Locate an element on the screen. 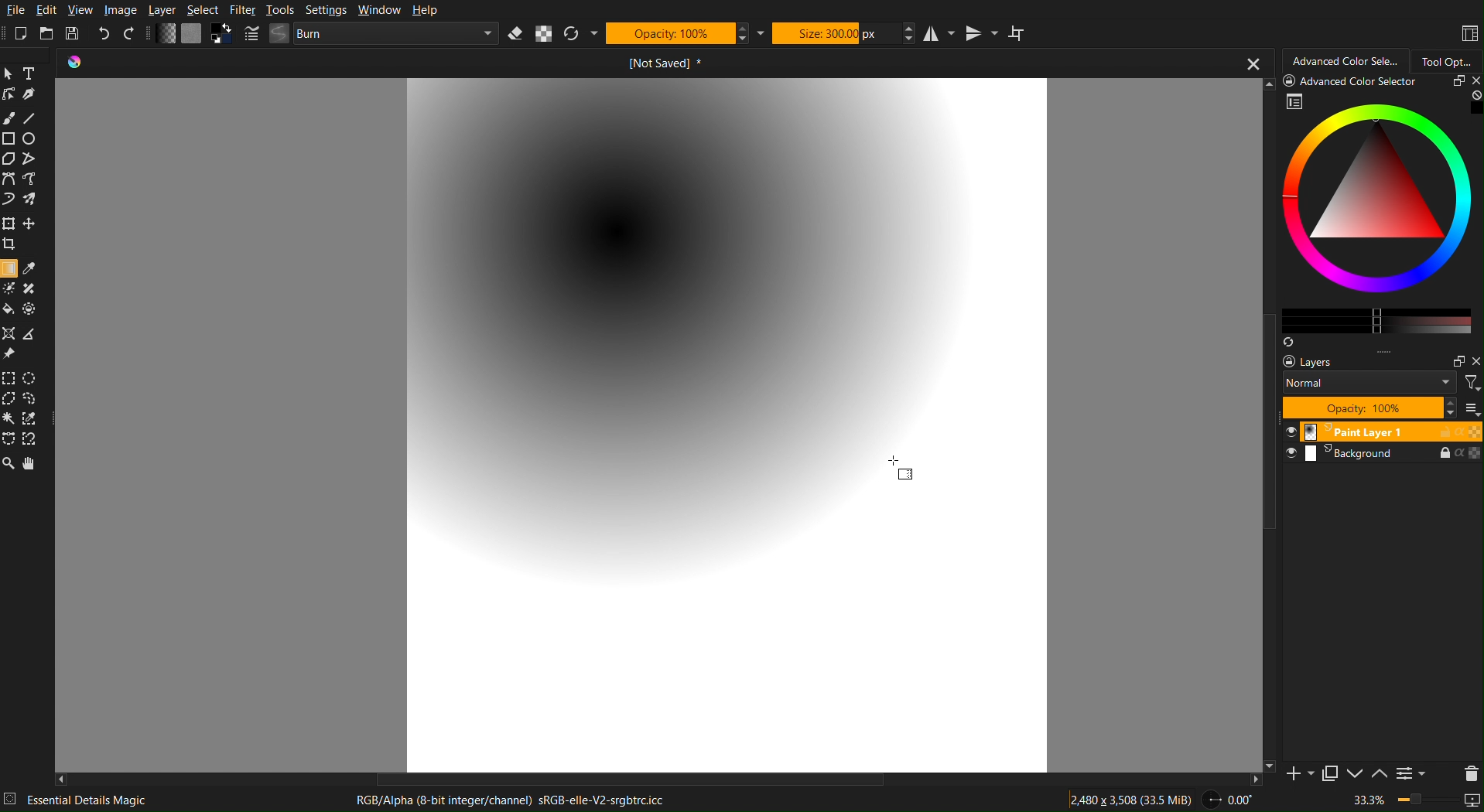  Radial Gradient is located at coordinates (696, 320).